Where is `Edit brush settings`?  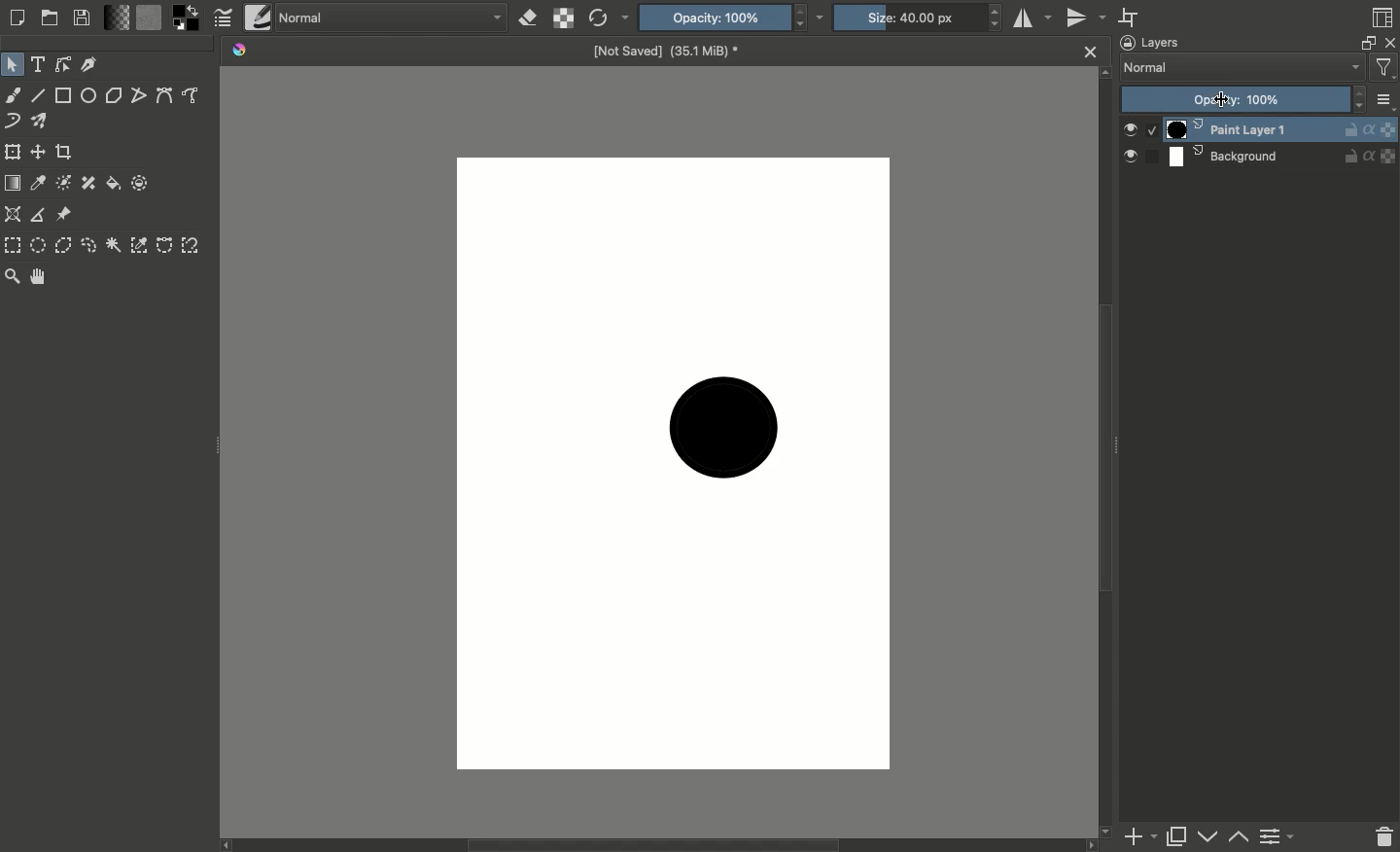
Edit brush settings is located at coordinates (224, 18).